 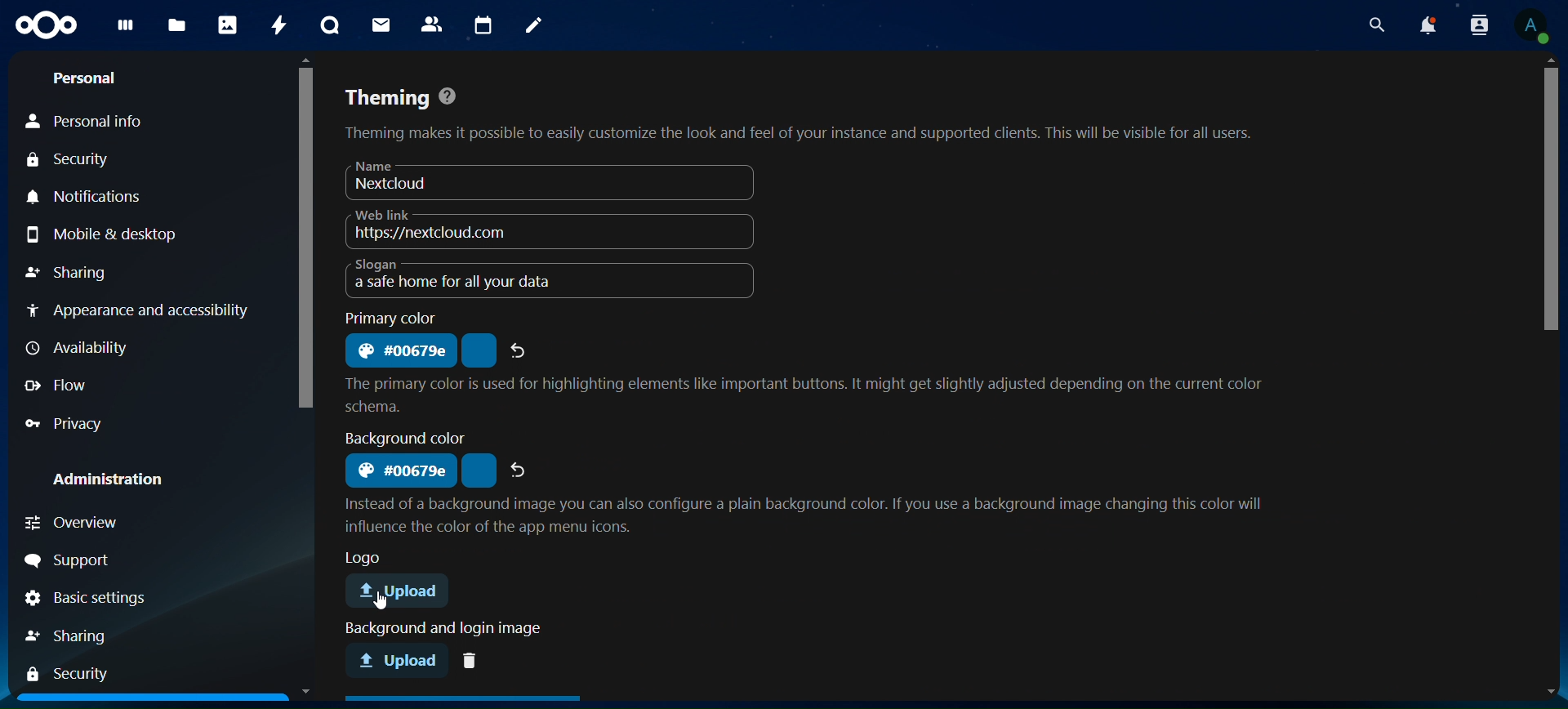 I want to click on refresh, so click(x=520, y=351).